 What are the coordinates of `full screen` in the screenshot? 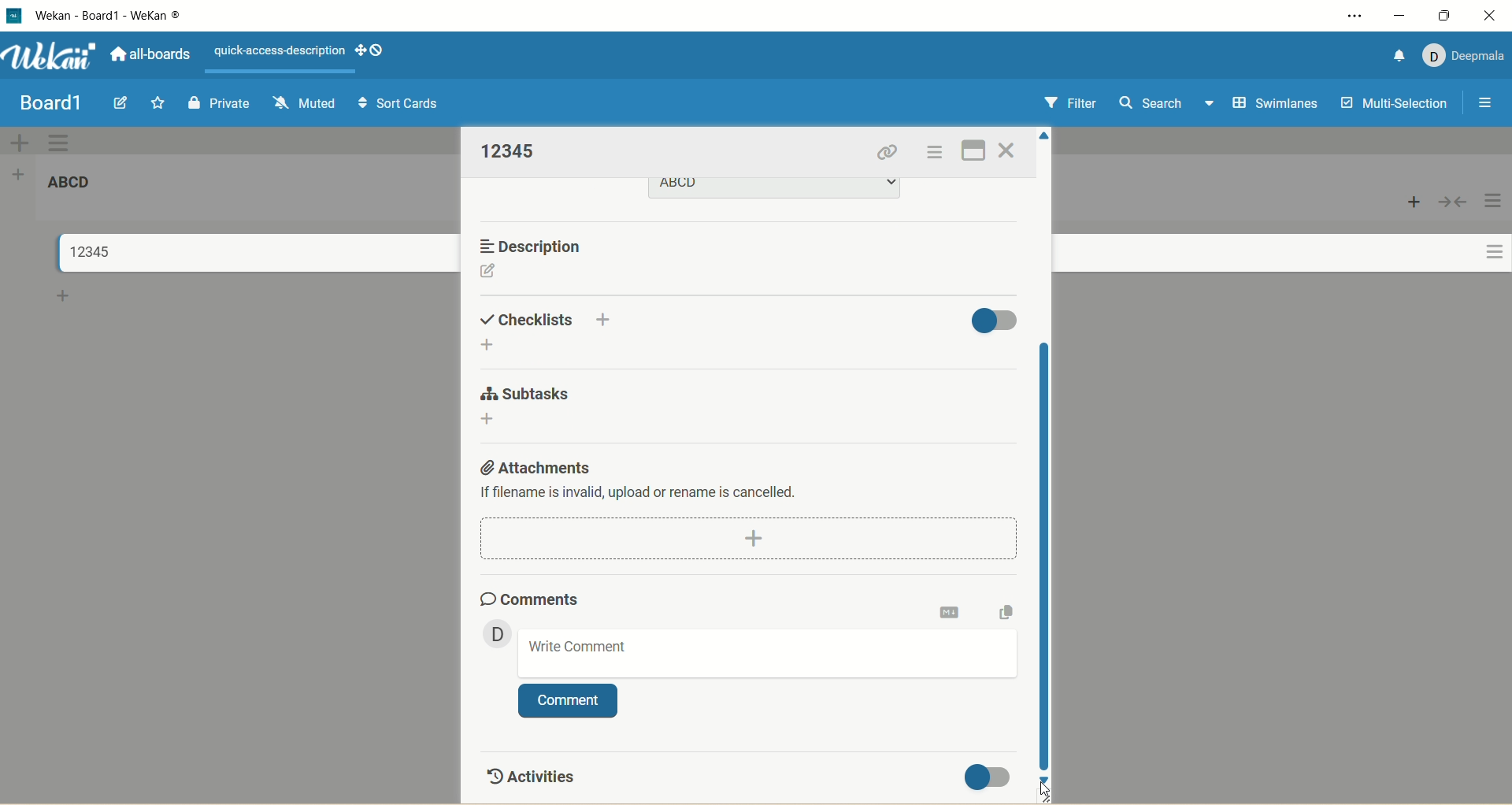 It's located at (976, 147).